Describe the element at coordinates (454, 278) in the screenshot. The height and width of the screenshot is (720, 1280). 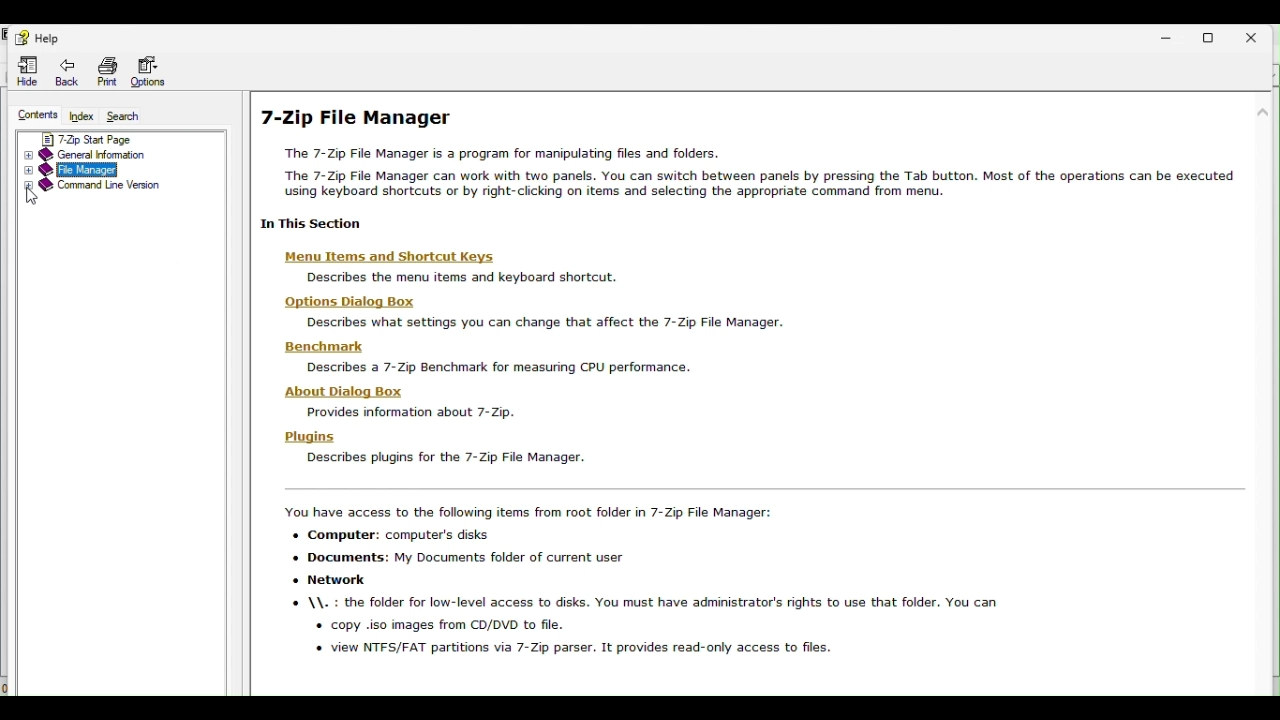
I see `Describes the menu items and keyboard shortcut,` at that location.